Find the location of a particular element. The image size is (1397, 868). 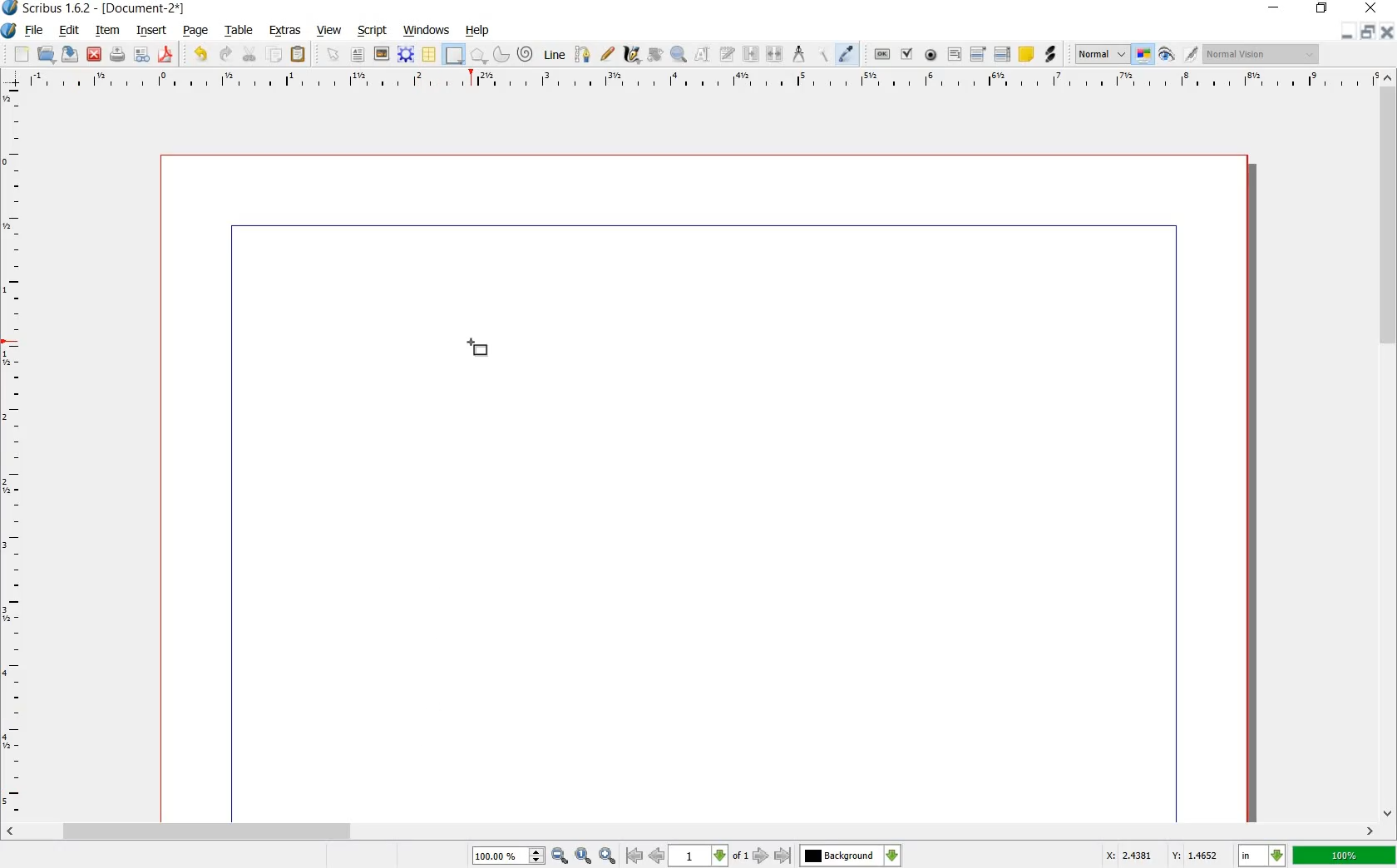

X: 2.4381 Y: 1.4652 is located at coordinates (1163, 856).